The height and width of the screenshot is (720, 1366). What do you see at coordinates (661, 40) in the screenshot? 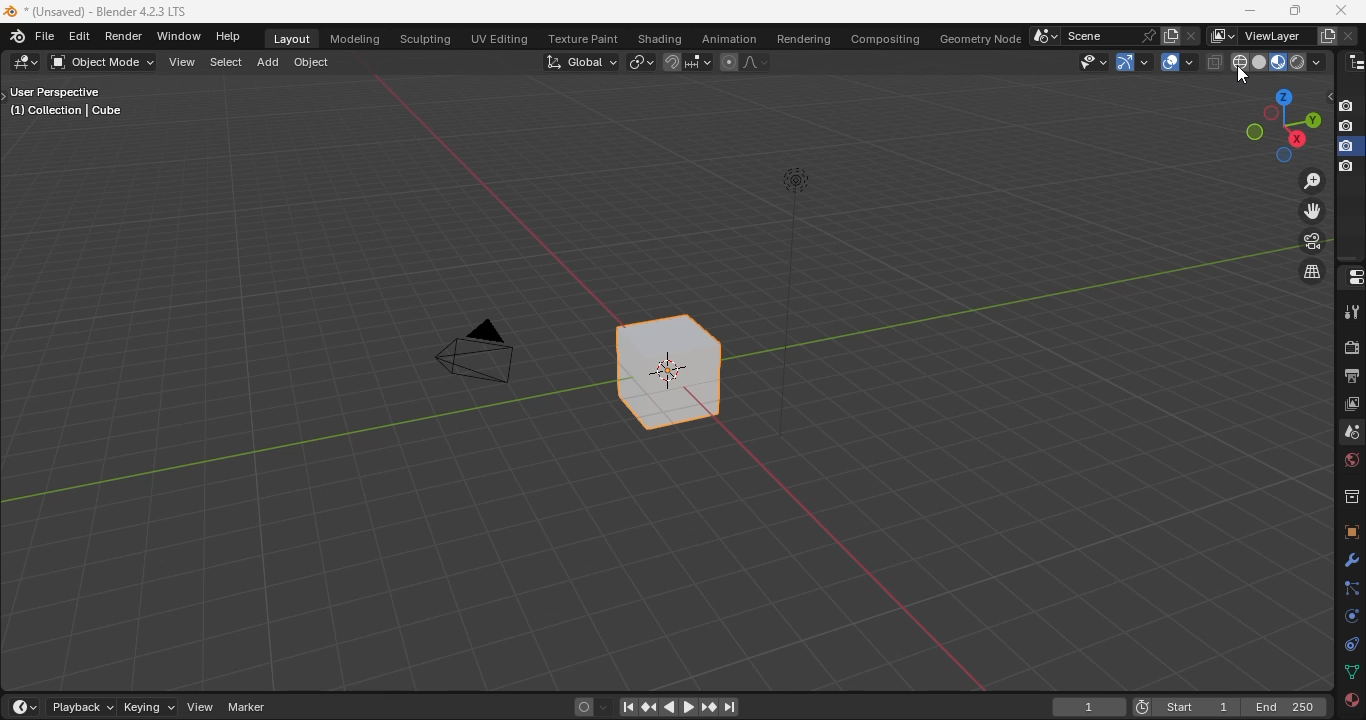
I see `shading` at bounding box center [661, 40].